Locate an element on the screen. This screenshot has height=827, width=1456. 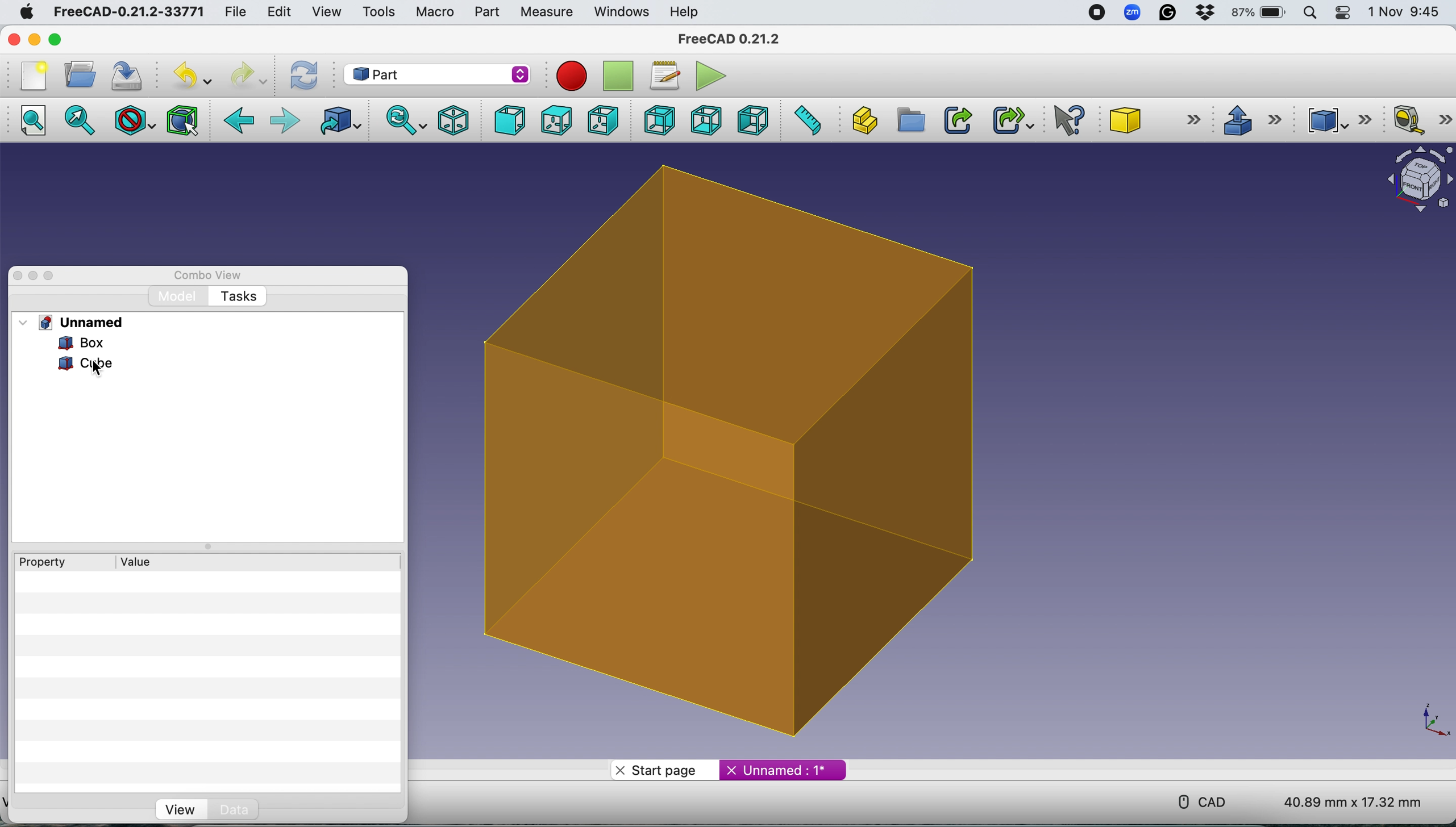
Part is located at coordinates (486, 12).